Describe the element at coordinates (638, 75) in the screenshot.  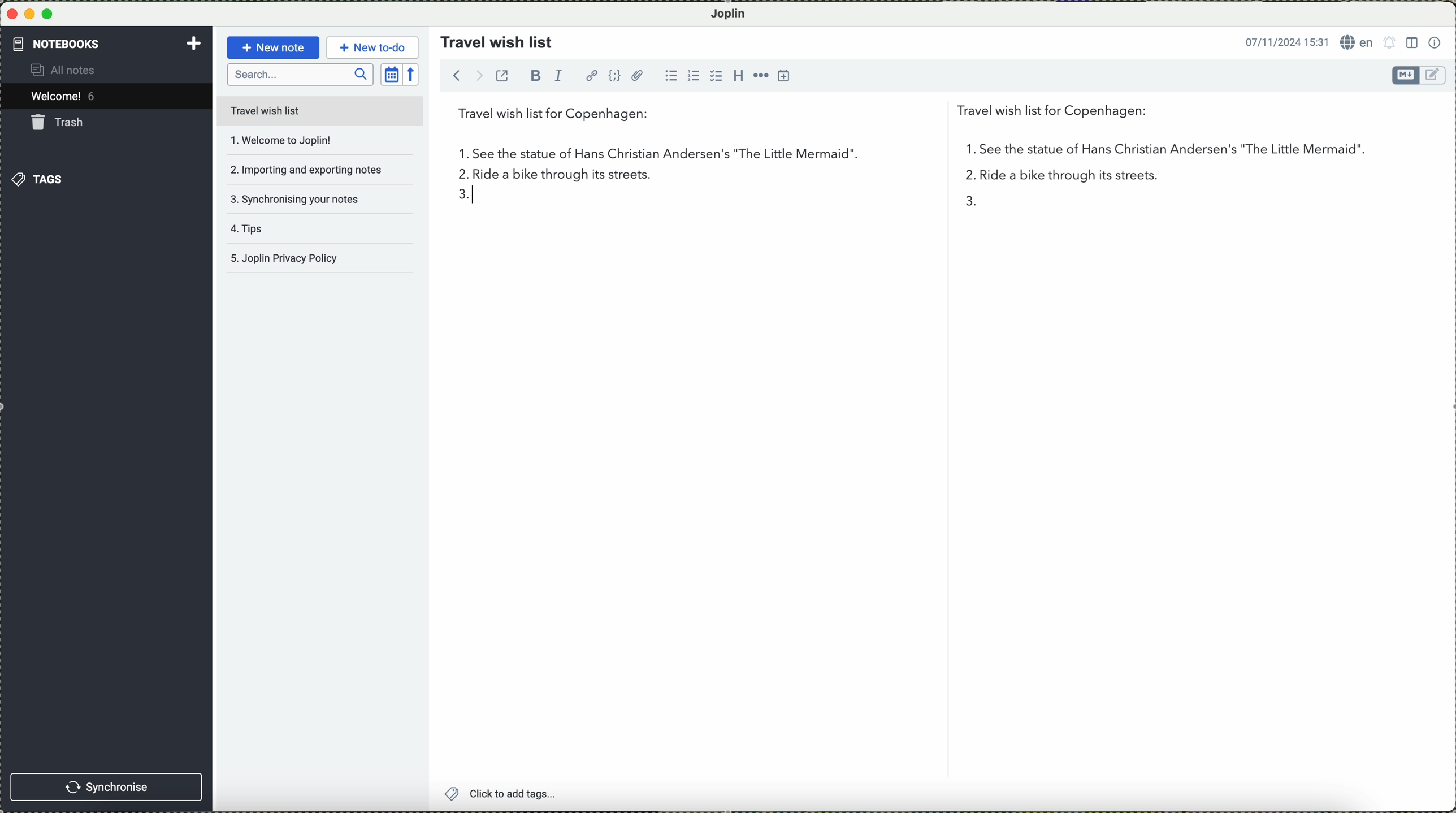
I see `attach file` at that location.